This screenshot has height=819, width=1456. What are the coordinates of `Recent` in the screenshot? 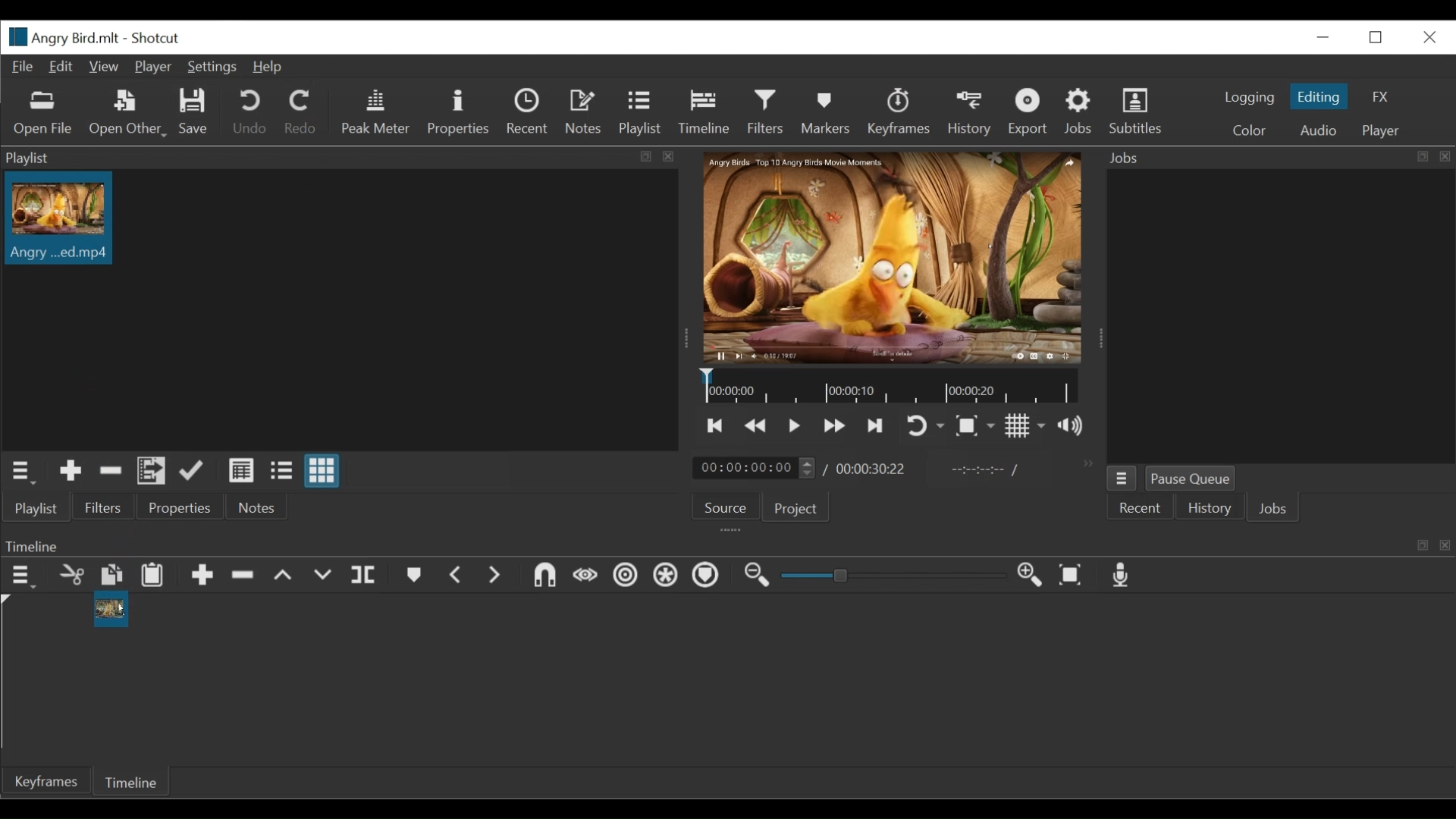 It's located at (1141, 508).